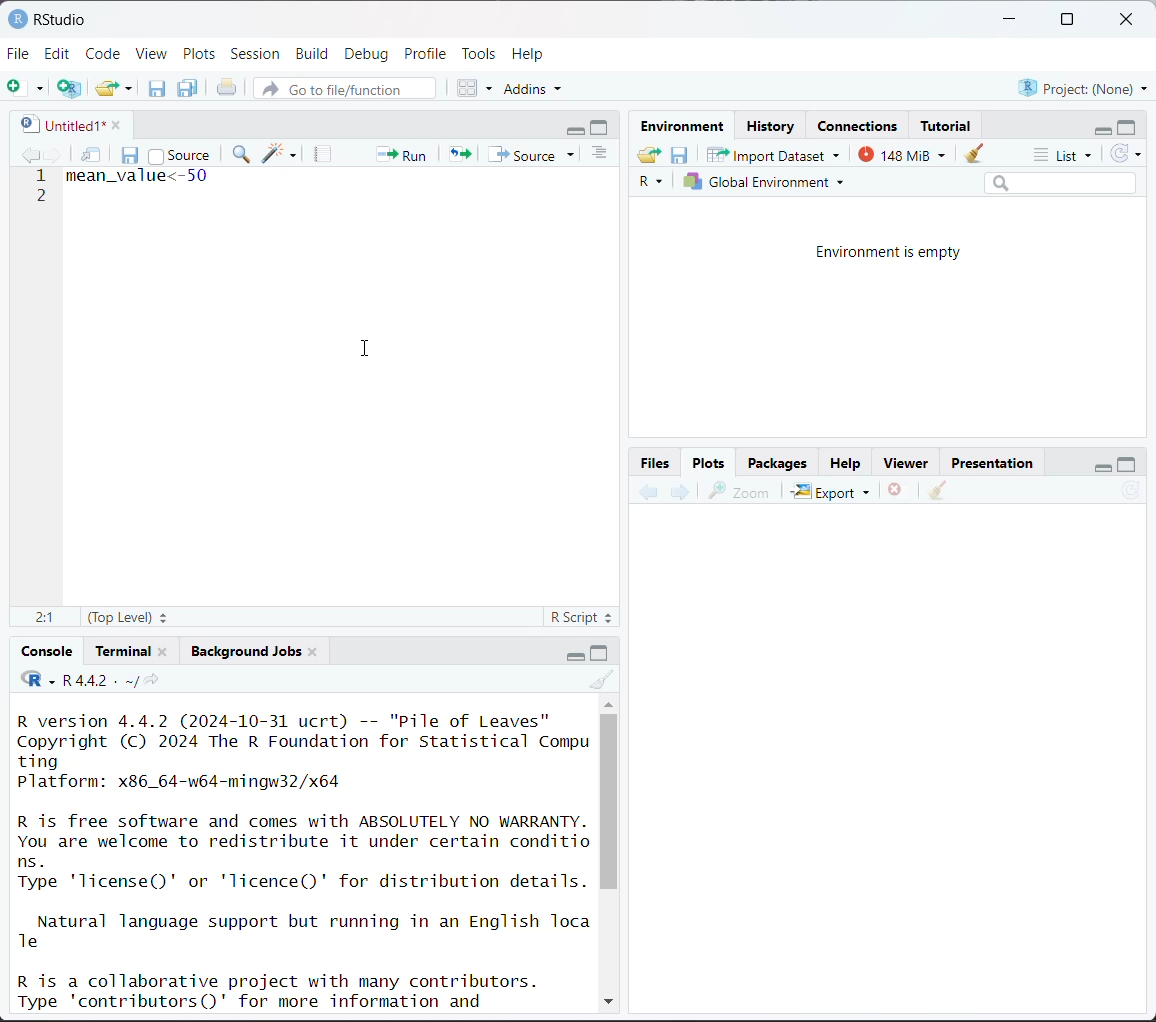 The image size is (1156, 1022). What do you see at coordinates (189, 88) in the screenshot?
I see `save all open documents` at bounding box center [189, 88].